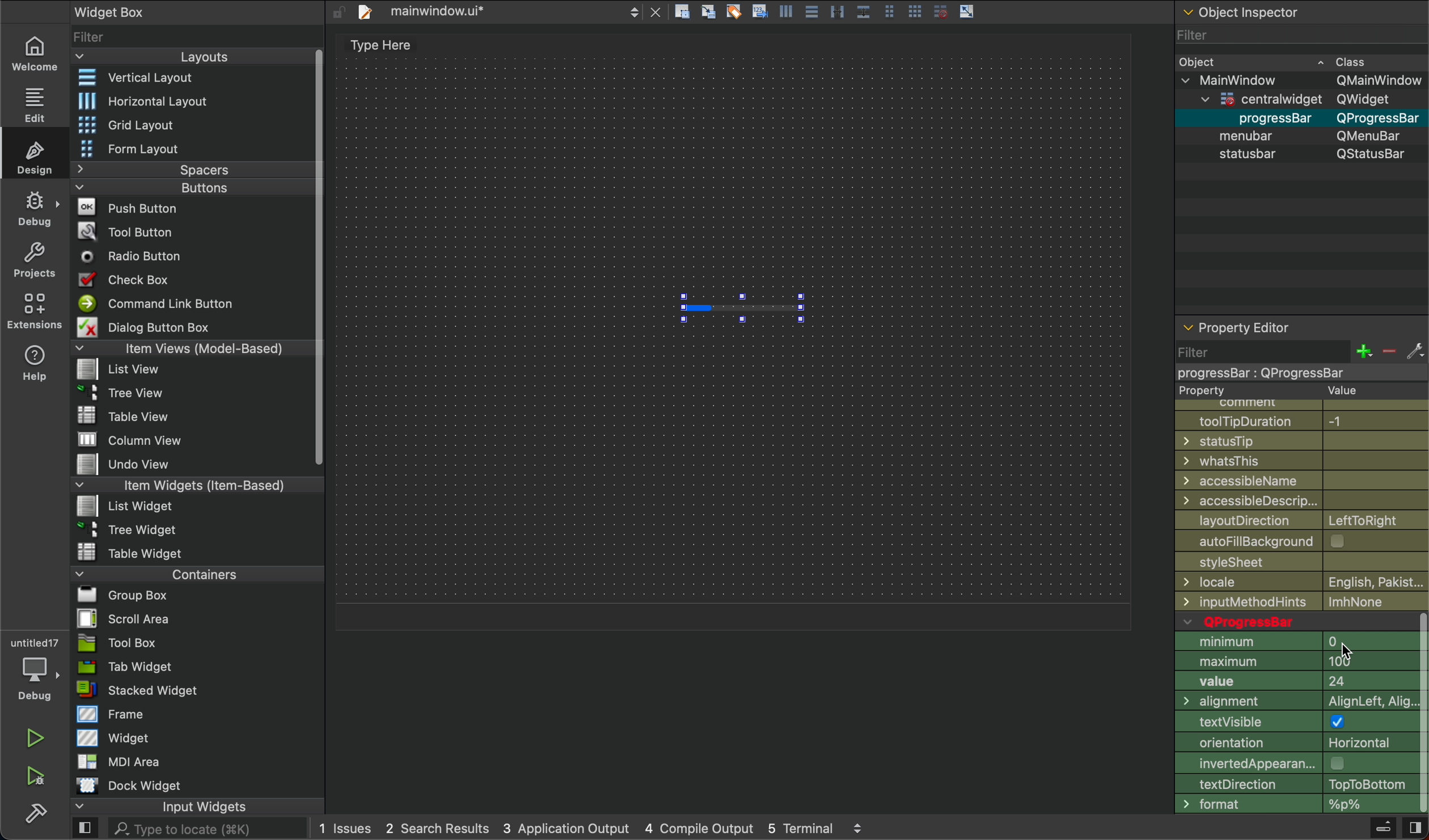  What do you see at coordinates (33, 52) in the screenshot?
I see `welcome` at bounding box center [33, 52].